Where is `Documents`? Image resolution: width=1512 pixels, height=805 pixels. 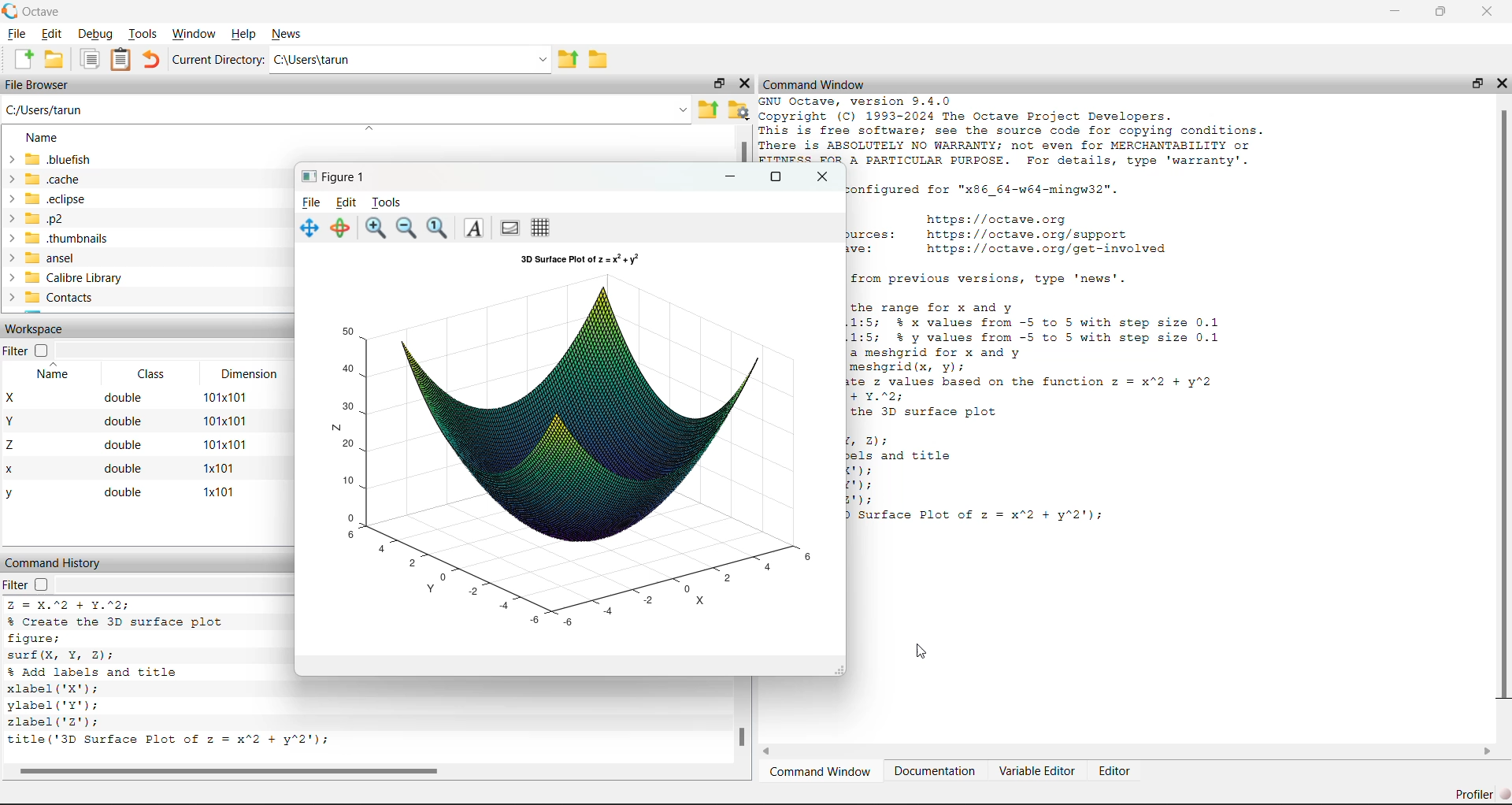 Documents is located at coordinates (91, 60).